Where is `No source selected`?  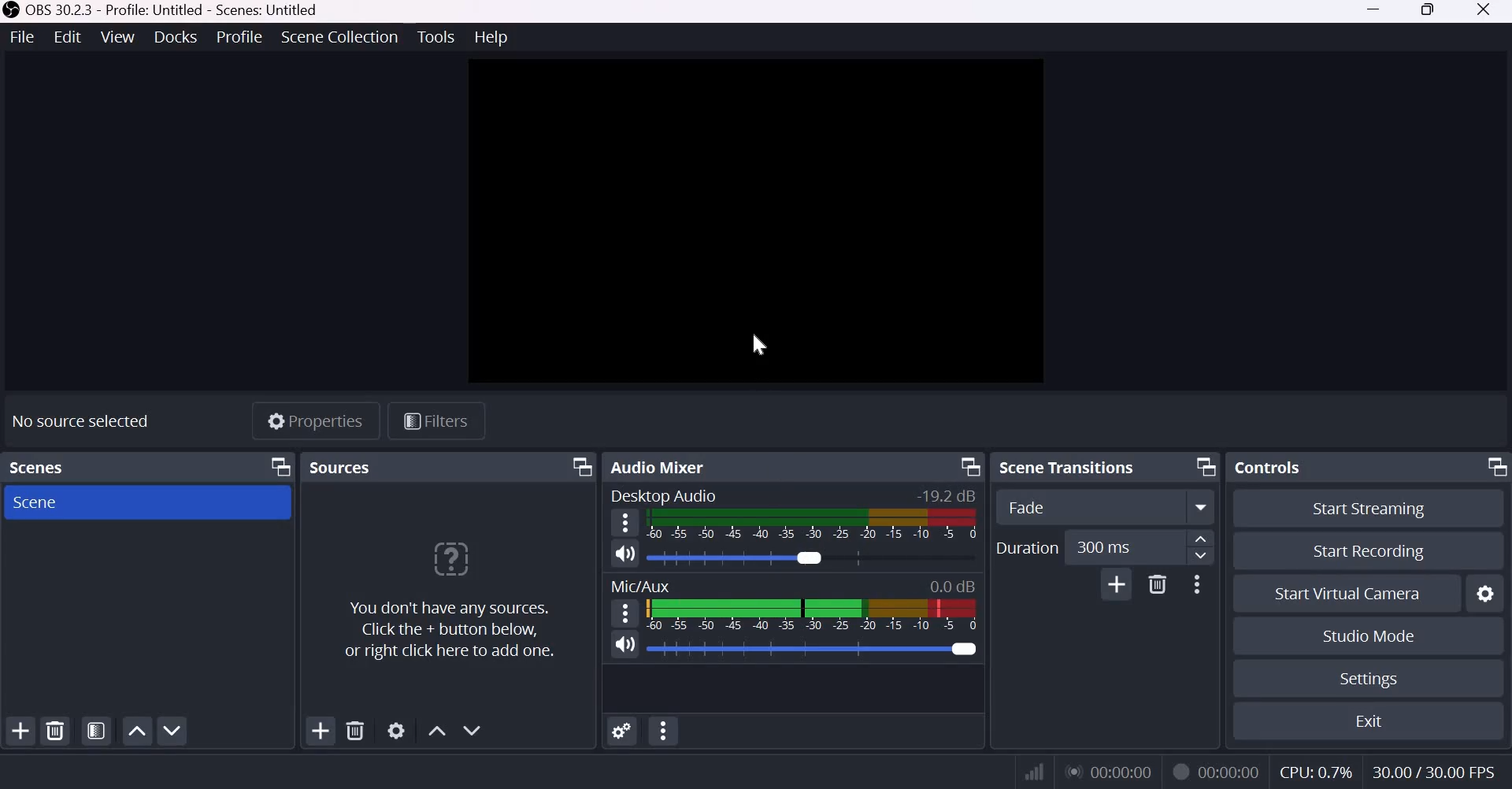
No source selected is located at coordinates (80, 420).